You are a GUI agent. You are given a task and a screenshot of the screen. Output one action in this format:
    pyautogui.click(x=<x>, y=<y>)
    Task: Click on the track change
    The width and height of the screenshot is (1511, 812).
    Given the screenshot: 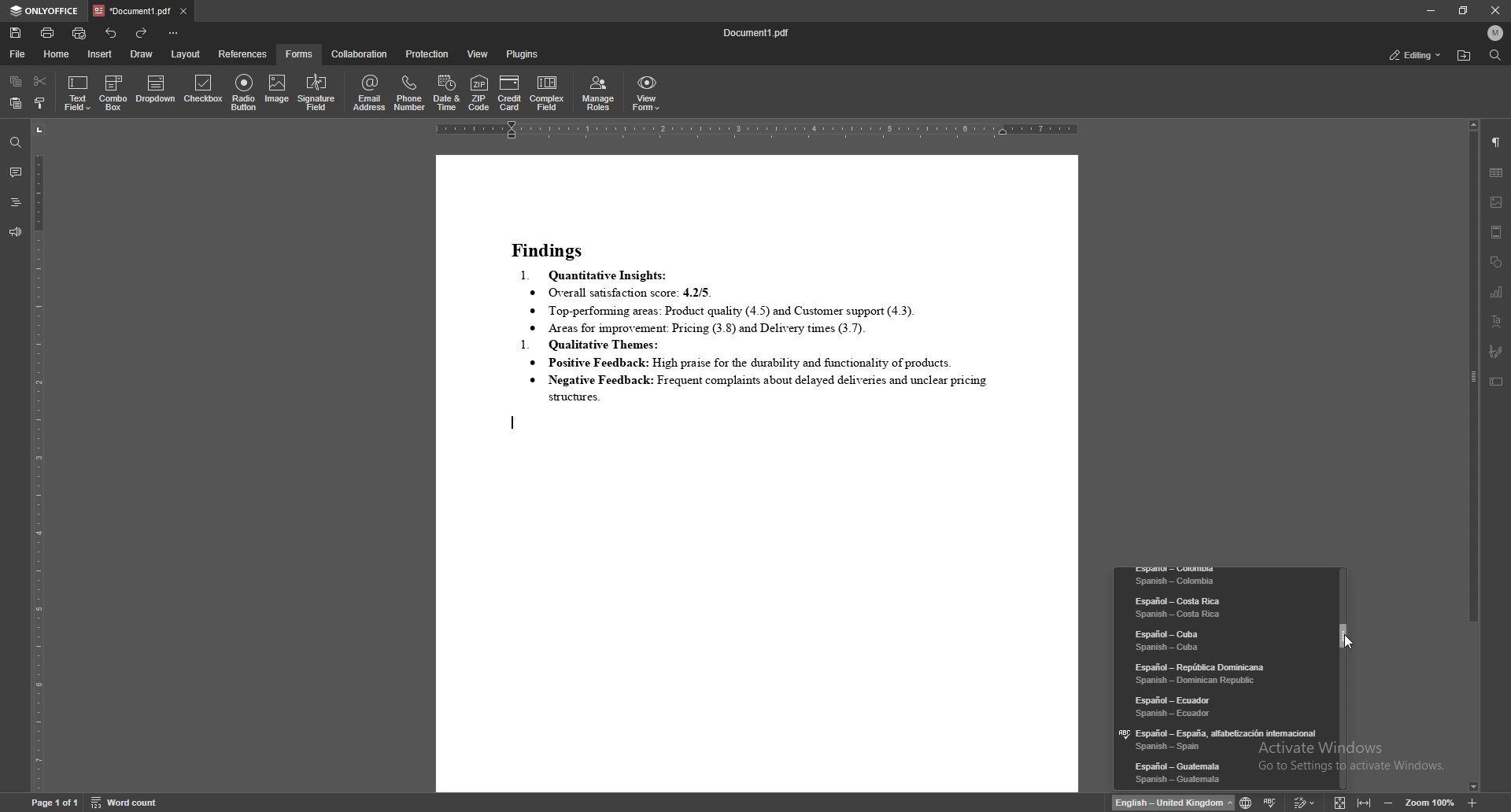 What is the action you would take?
    pyautogui.click(x=1300, y=803)
    